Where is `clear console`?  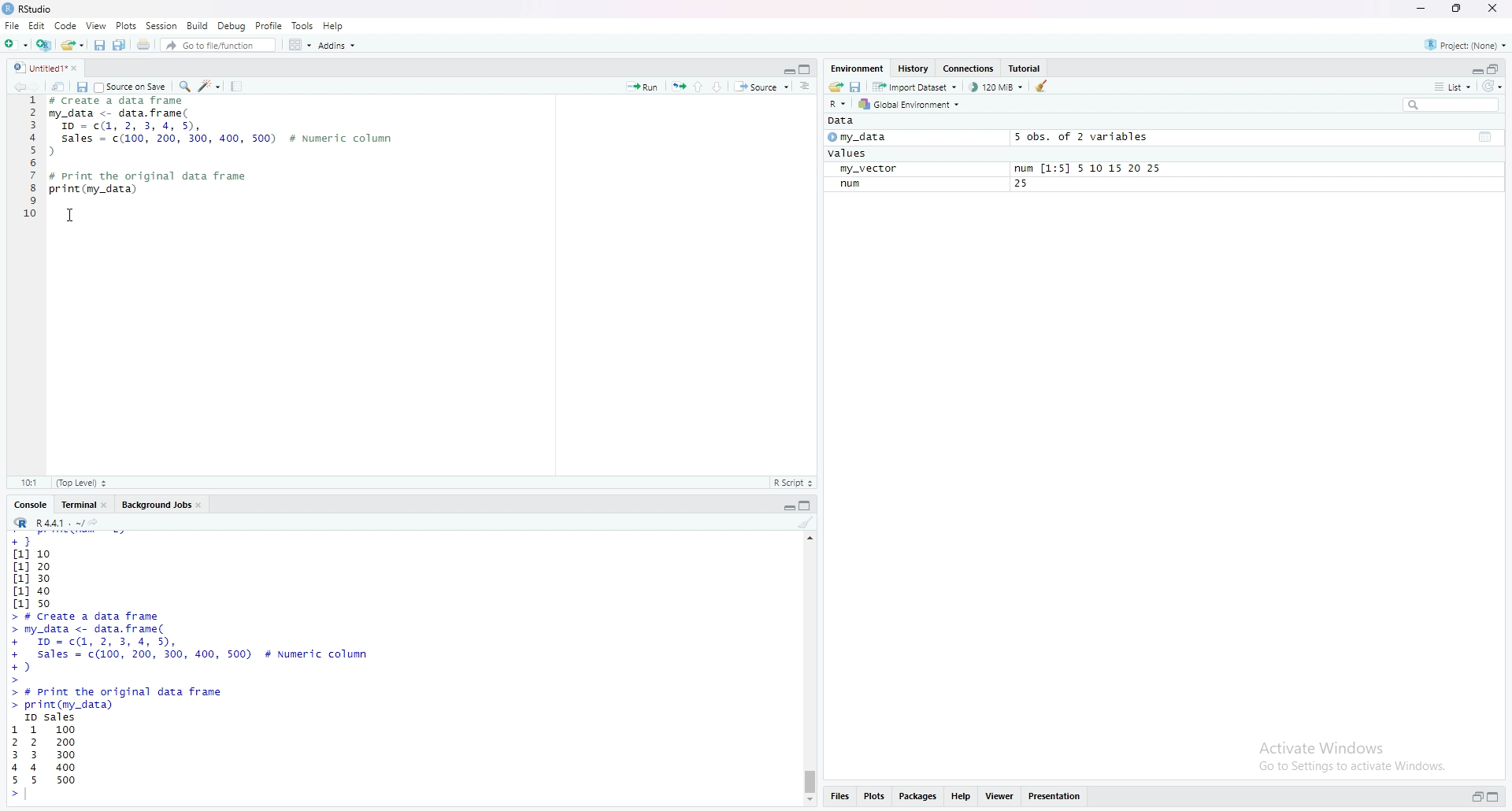 clear console is located at coordinates (806, 524).